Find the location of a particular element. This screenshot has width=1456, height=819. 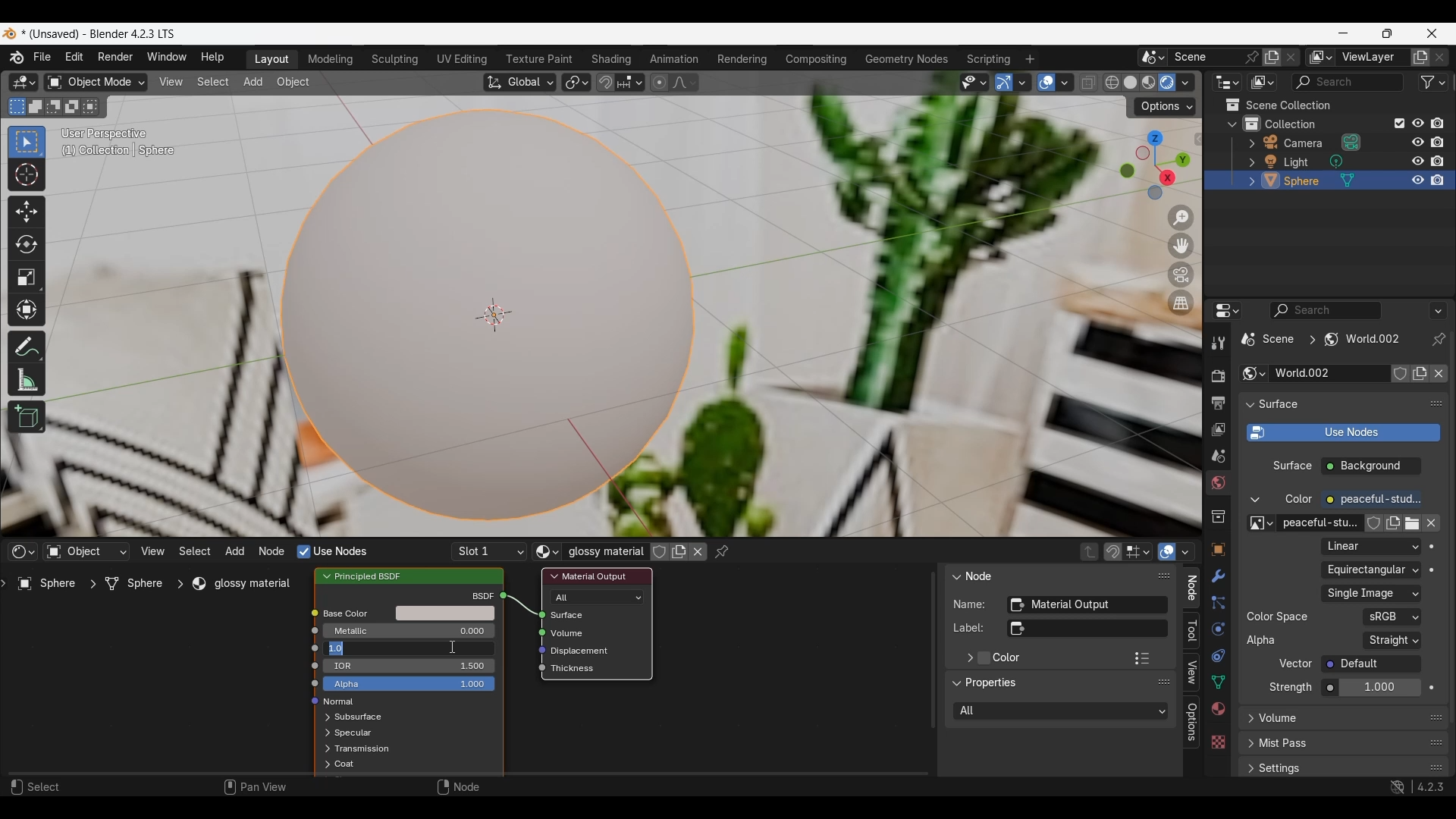

Scene properties is located at coordinates (1217, 457).